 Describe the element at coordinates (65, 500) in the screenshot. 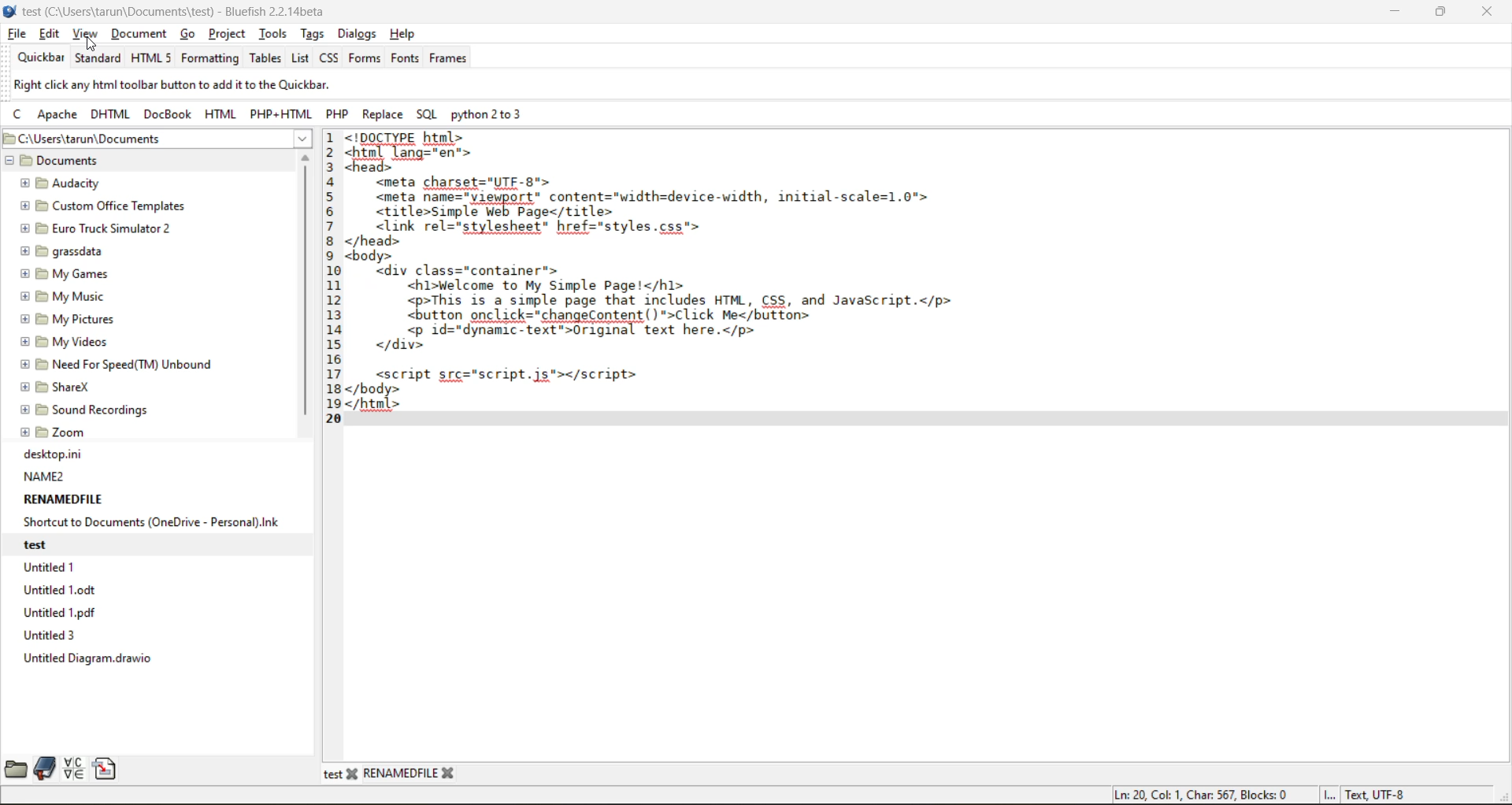

I see `RENAMEDFILE` at that location.